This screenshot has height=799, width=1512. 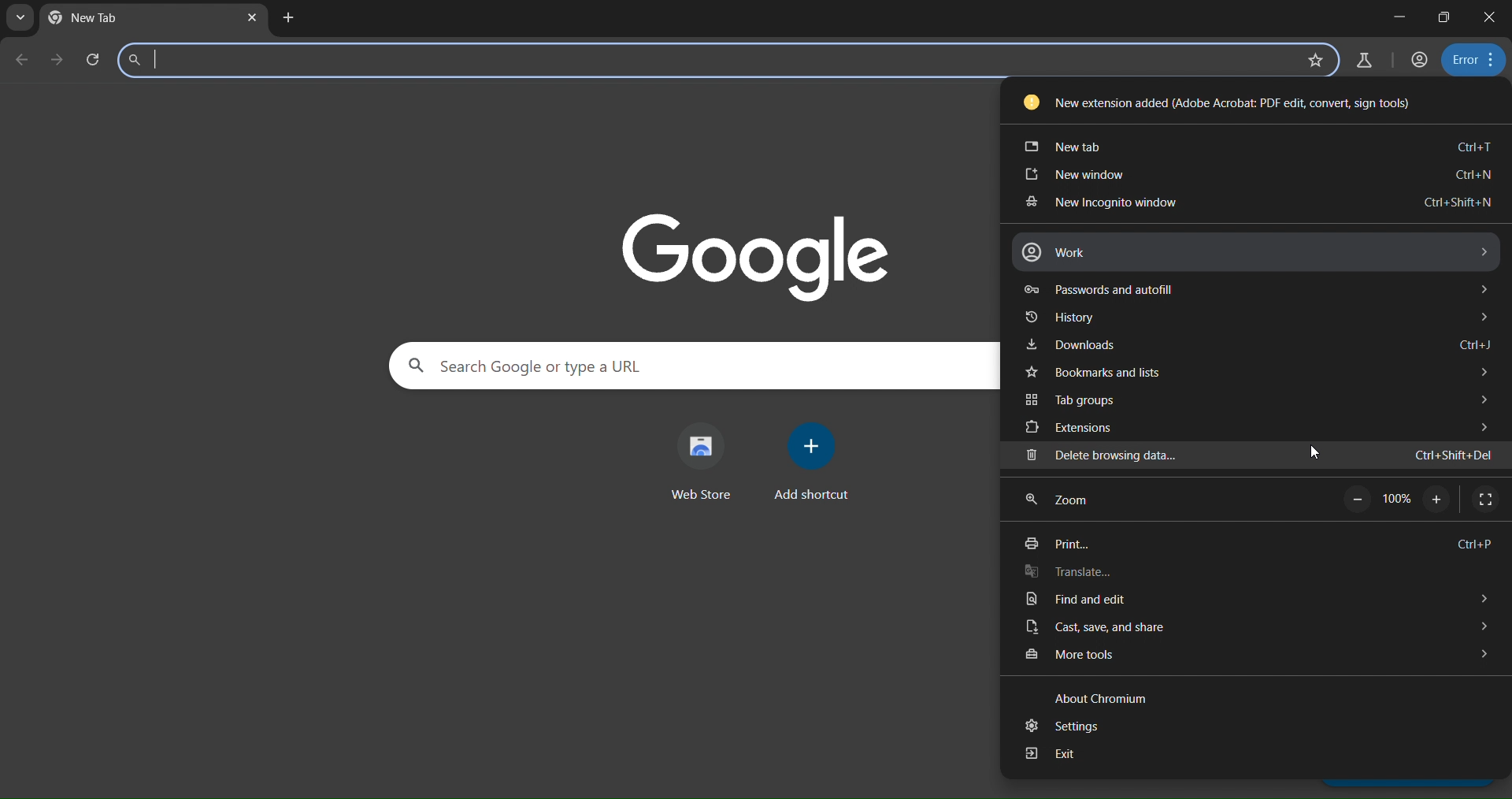 What do you see at coordinates (1258, 428) in the screenshot?
I see `extensions` at bounding box center [1258, 428].